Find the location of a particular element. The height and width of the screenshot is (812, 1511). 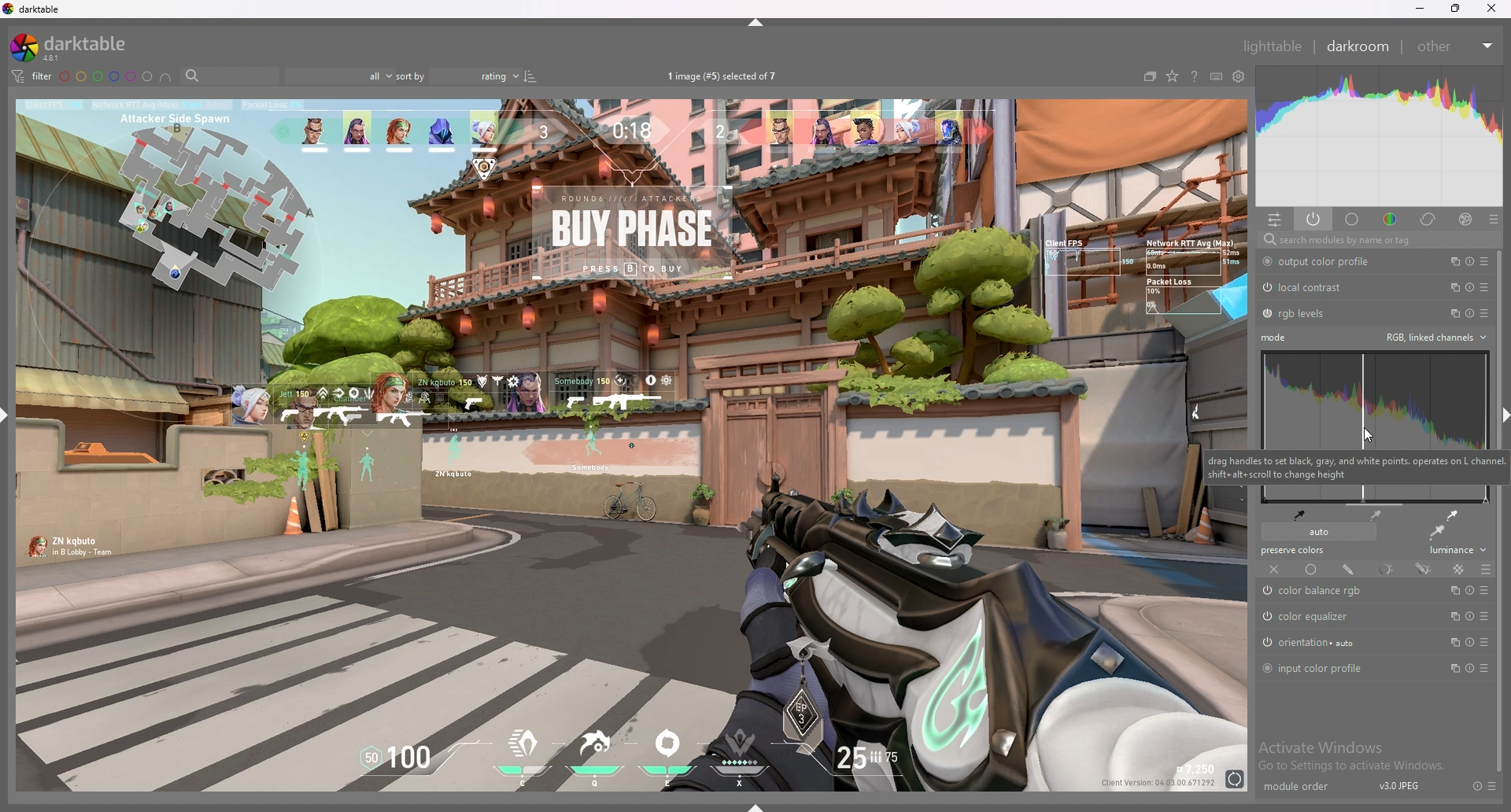

filter is located at coordinates (32, 77).